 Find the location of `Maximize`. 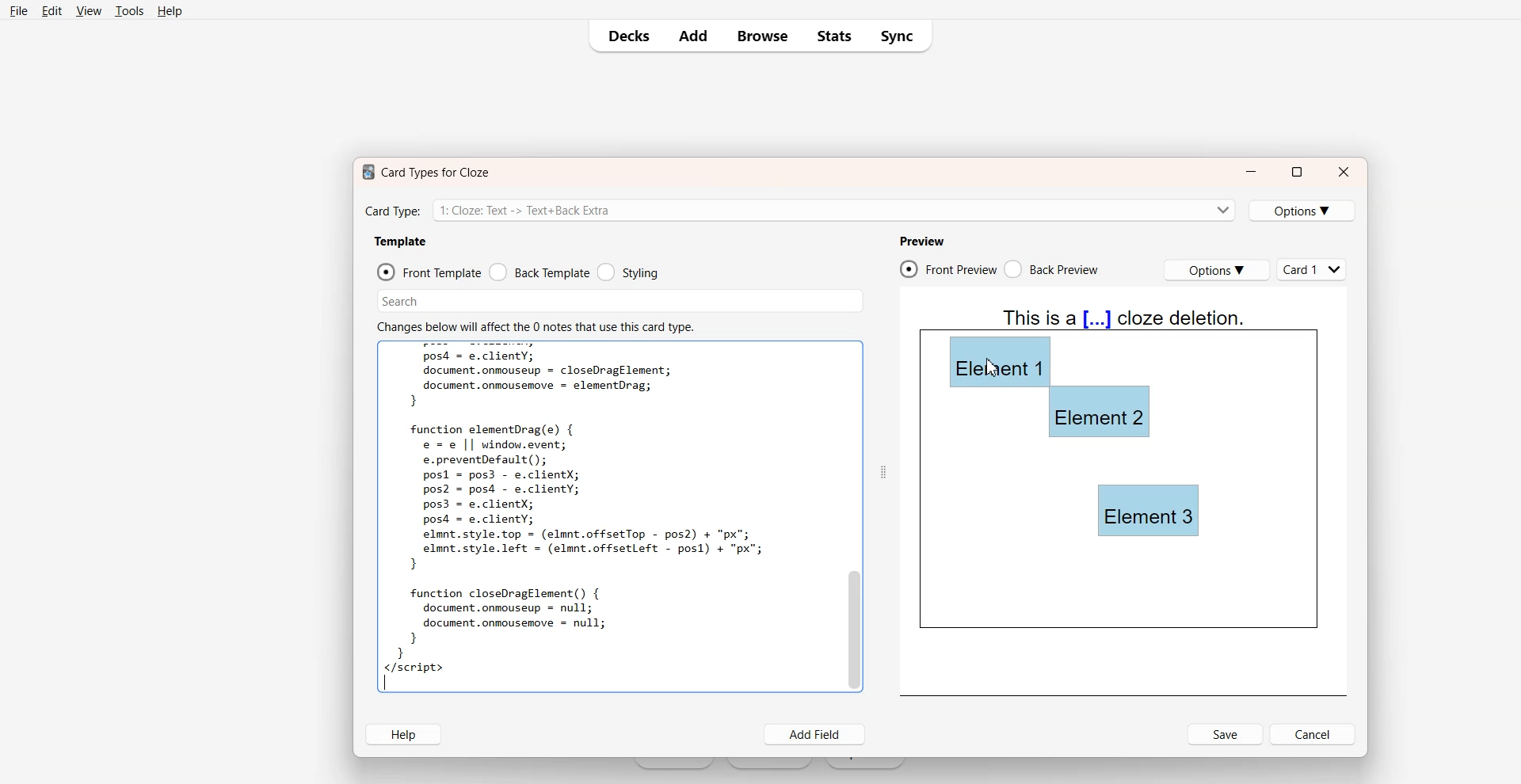

Maximize is located at coordinates (1296, 172).